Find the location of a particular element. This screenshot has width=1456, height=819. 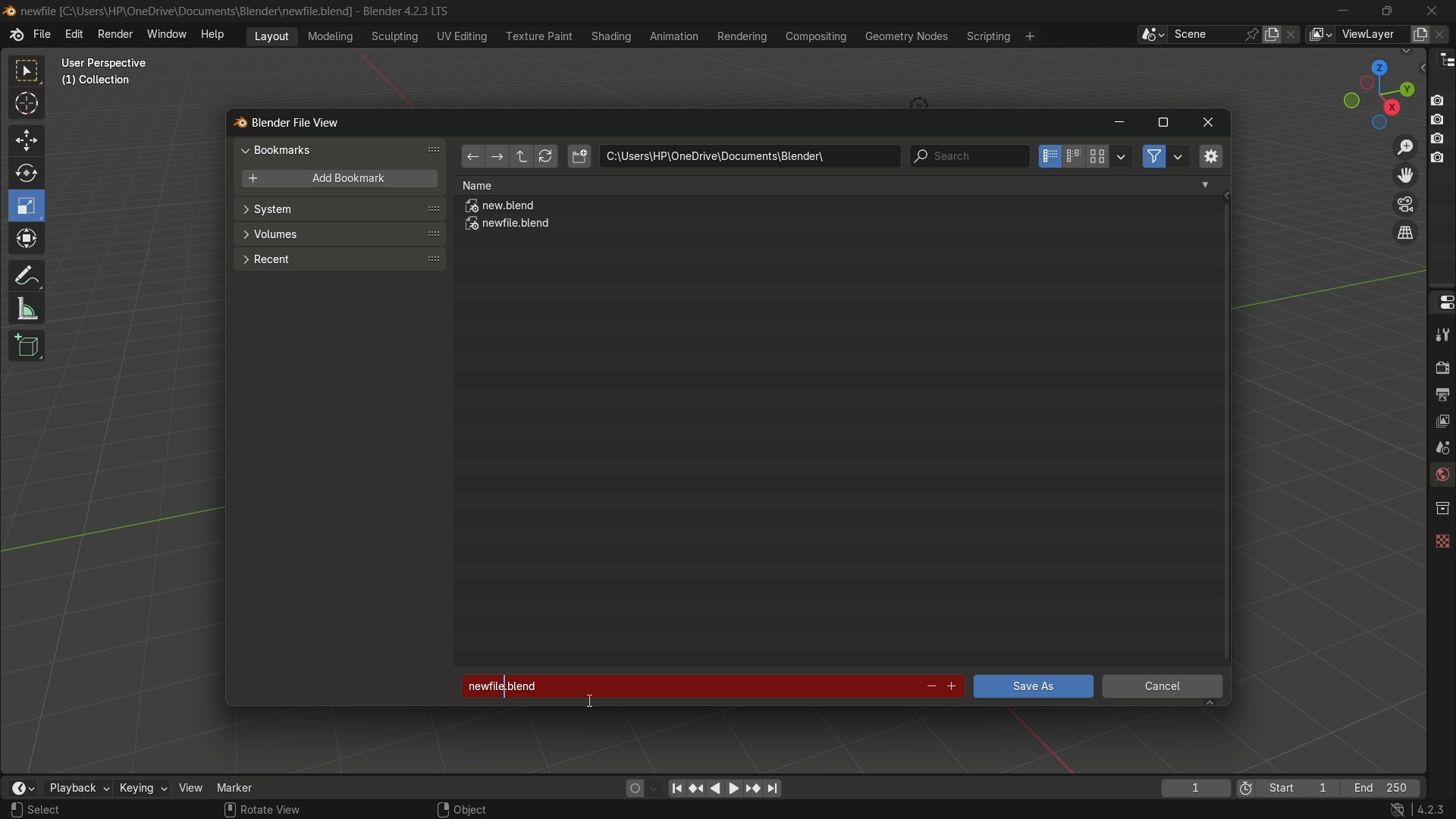

annotate is located at coordinates (26, 274).